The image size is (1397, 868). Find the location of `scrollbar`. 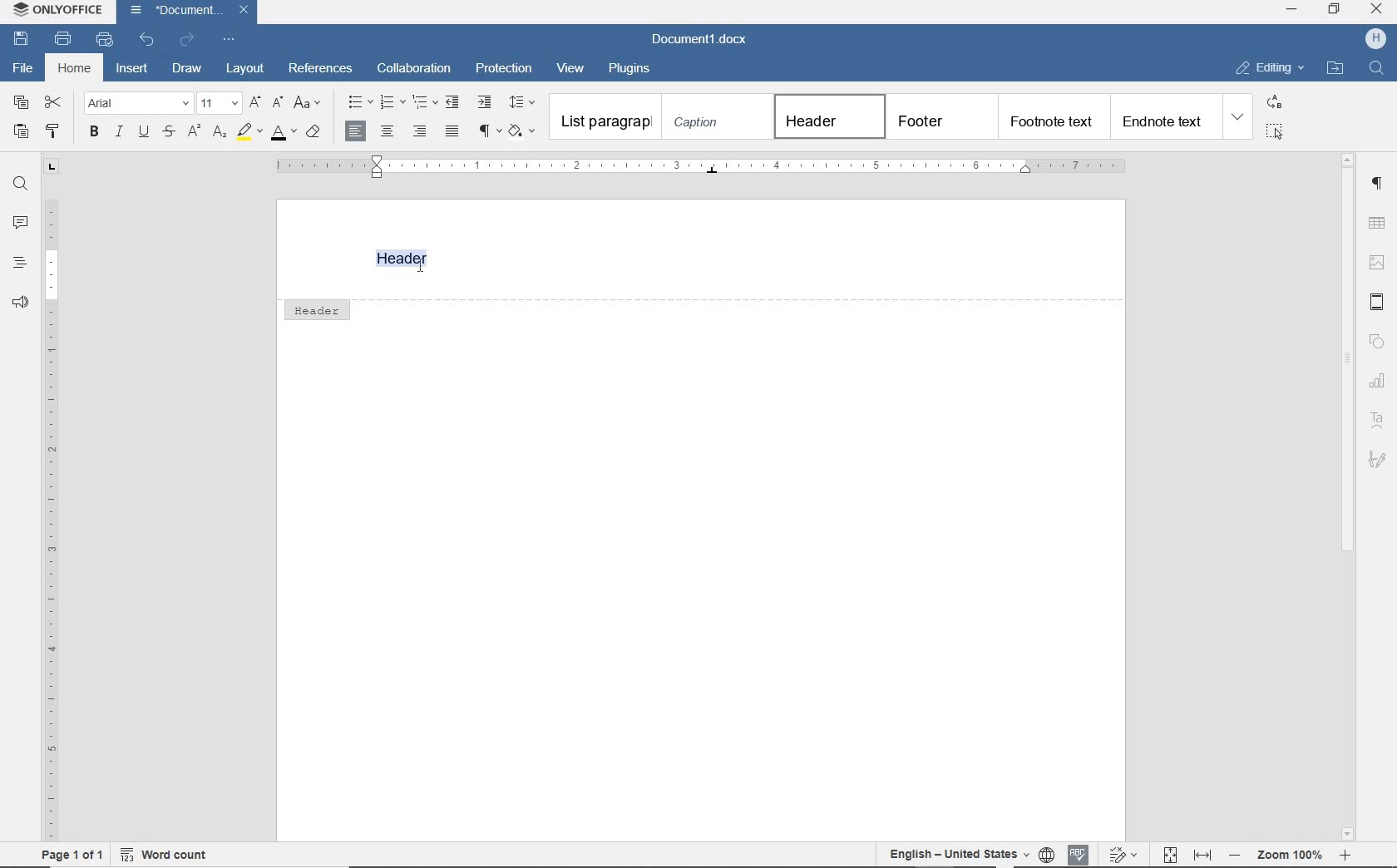

scrollbar is located at coordinates (1348, 367).